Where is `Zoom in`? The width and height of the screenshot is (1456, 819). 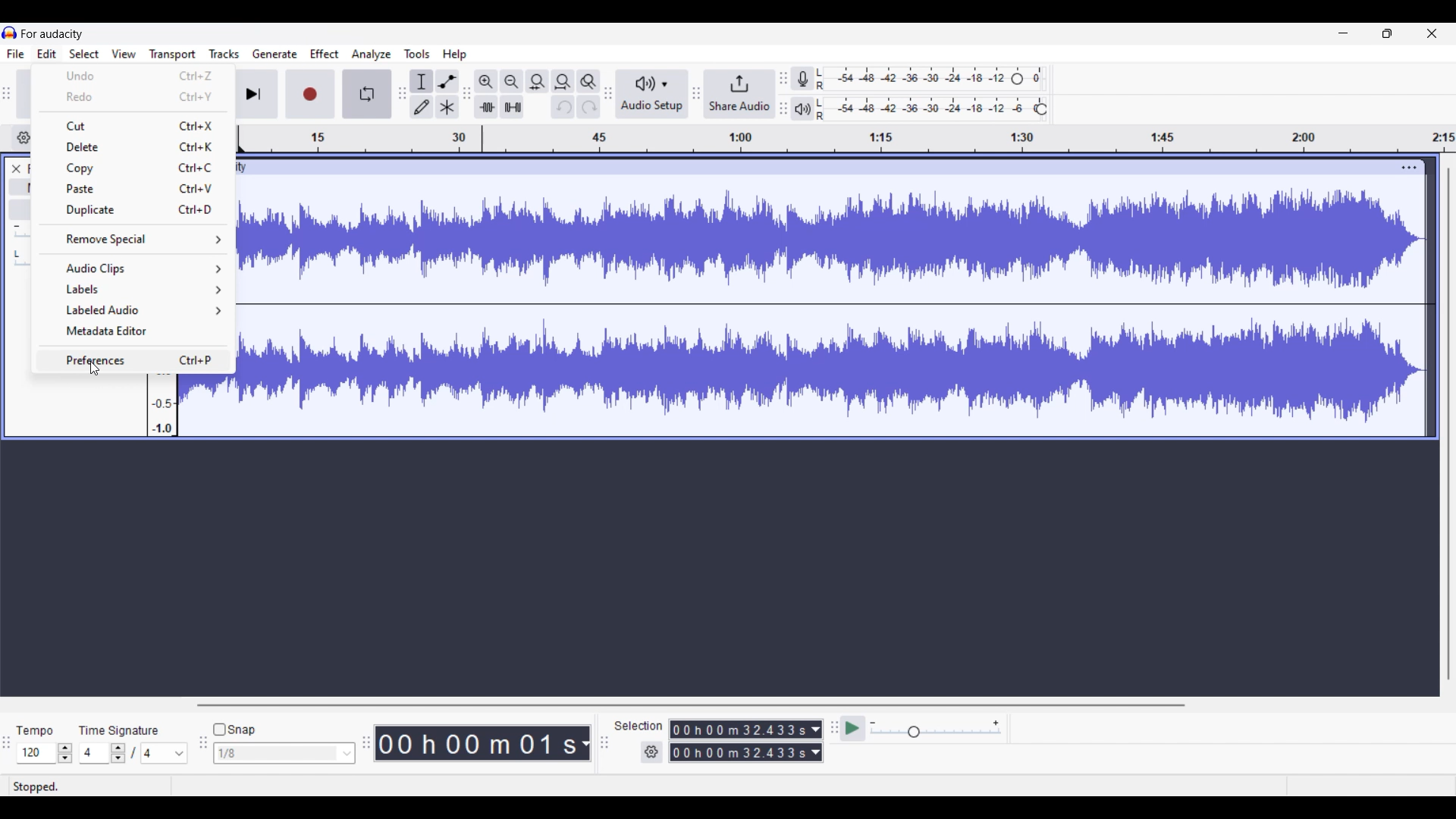
Zoom in is located at coordinates (486, 82).